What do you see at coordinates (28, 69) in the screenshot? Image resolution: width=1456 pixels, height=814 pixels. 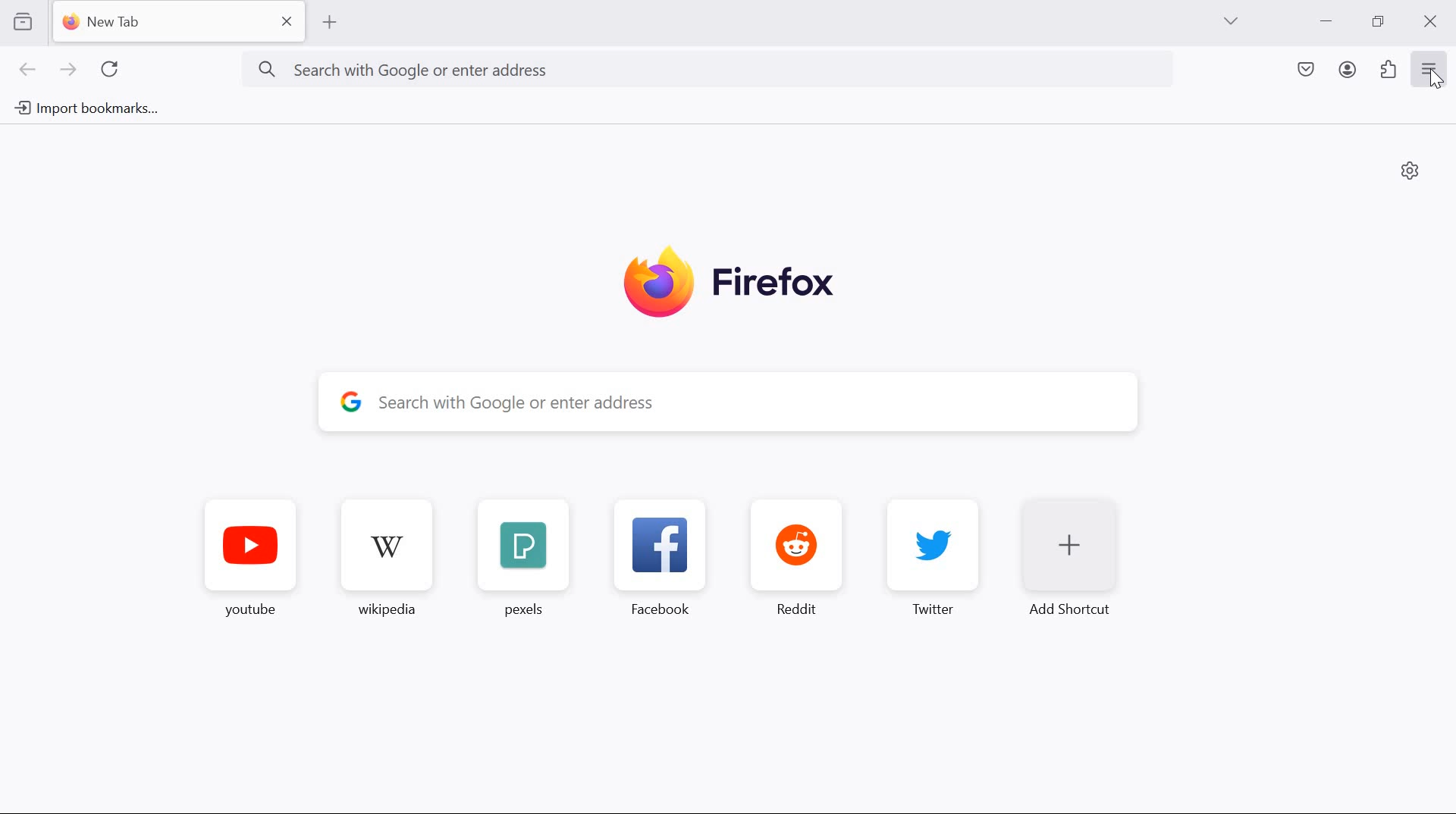 I see `go back one page` at bounding box center [28, 69].